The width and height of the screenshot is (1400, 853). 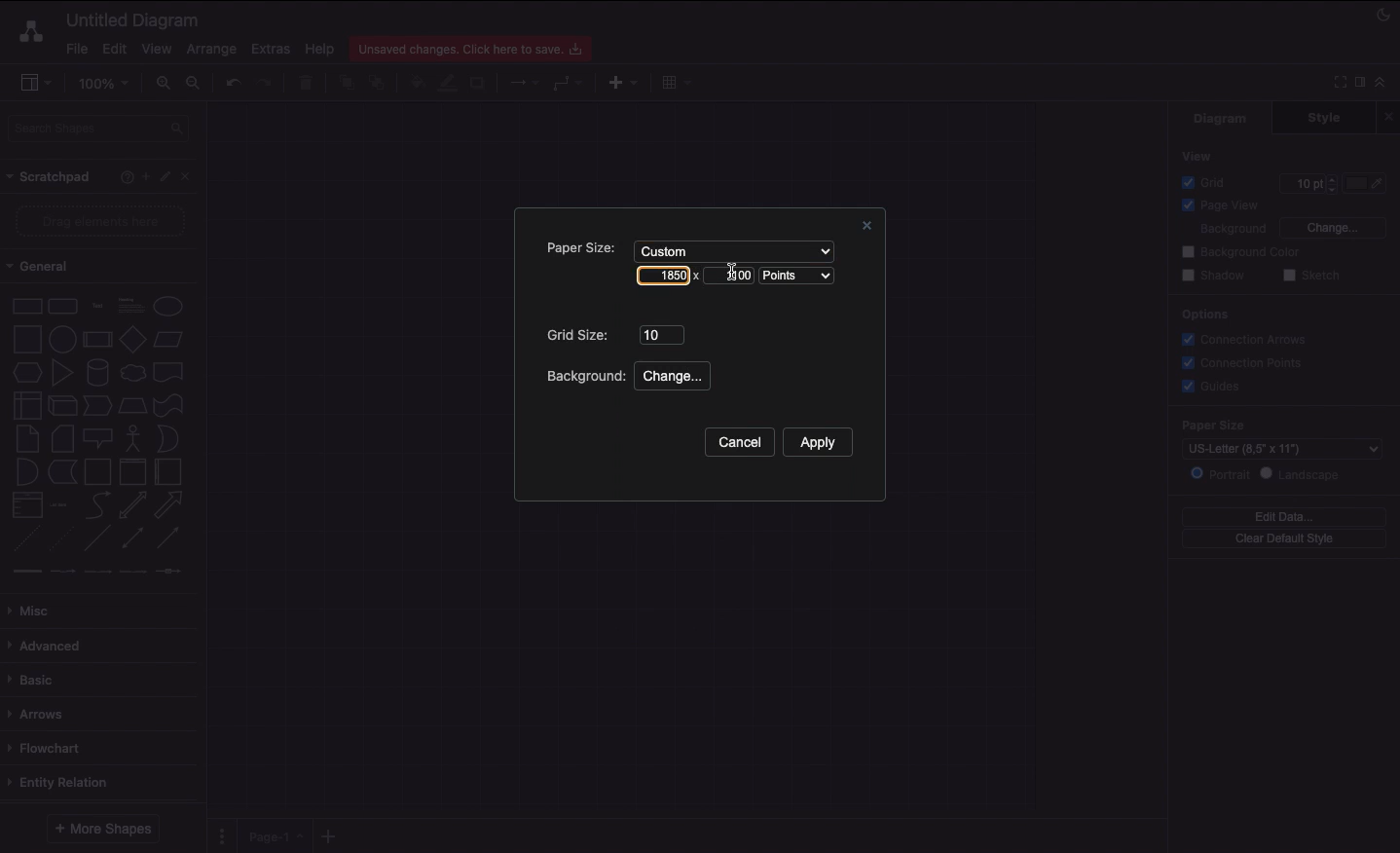 I want to click on Trapezoid, so click(x=130, y=406).